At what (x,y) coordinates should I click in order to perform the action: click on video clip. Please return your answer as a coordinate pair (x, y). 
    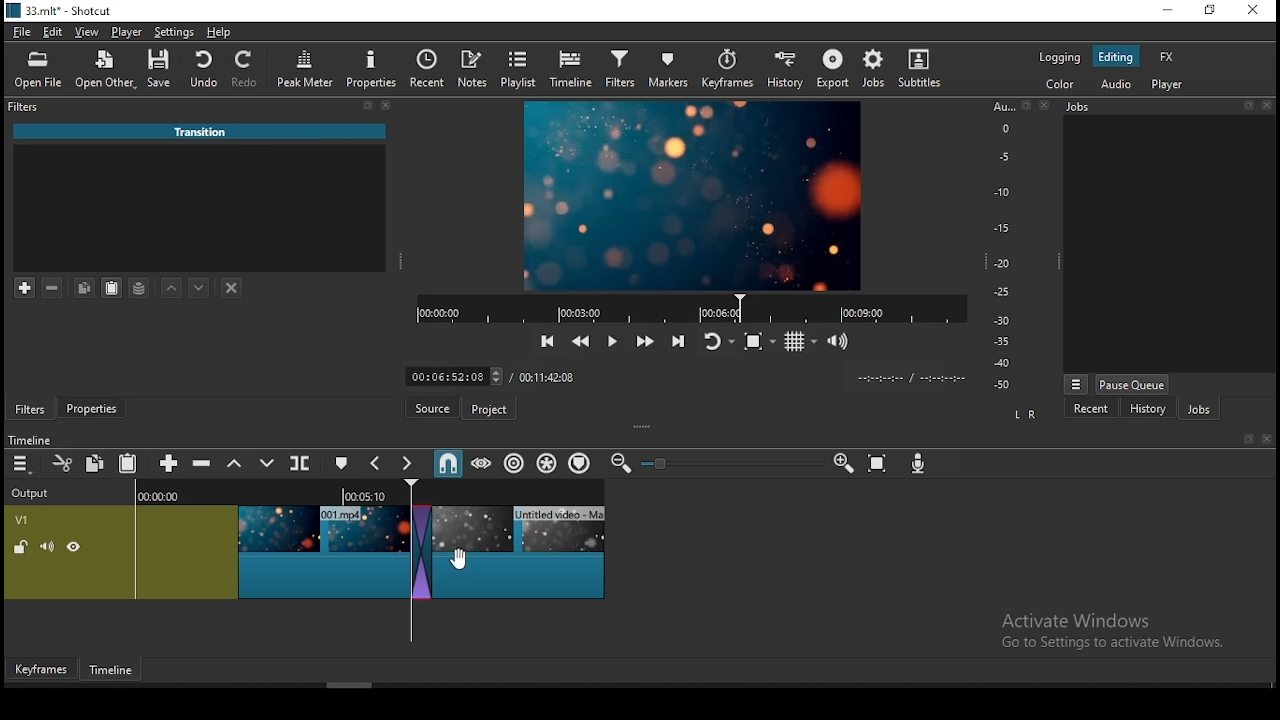
    Looking at the image, I should click on (512, 552).